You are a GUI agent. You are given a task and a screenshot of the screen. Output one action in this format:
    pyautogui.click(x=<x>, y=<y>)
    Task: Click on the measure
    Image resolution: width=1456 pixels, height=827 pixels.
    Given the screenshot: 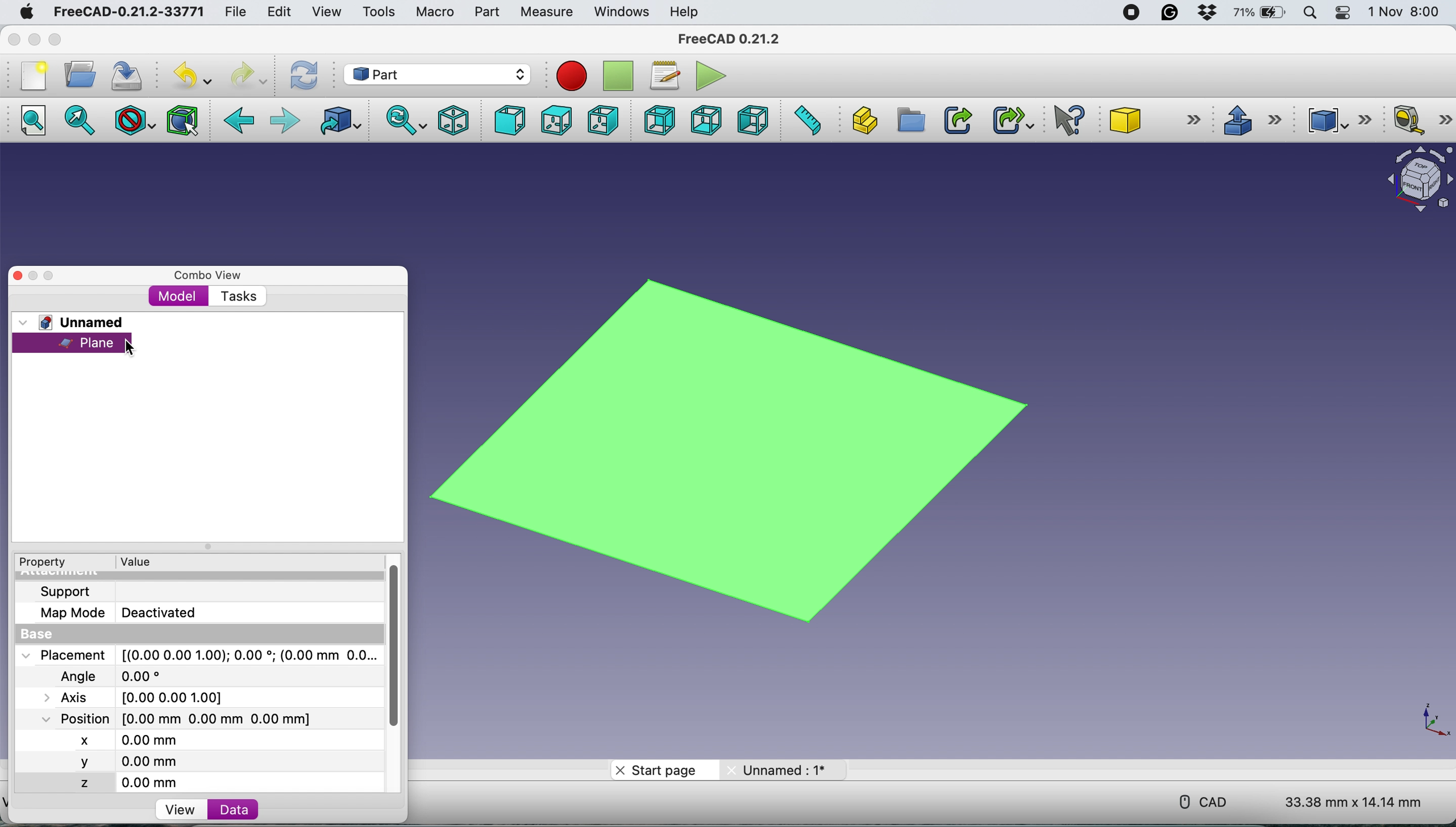 What is the action you would take?
    pyautogui.click(x=550, y=11)
    